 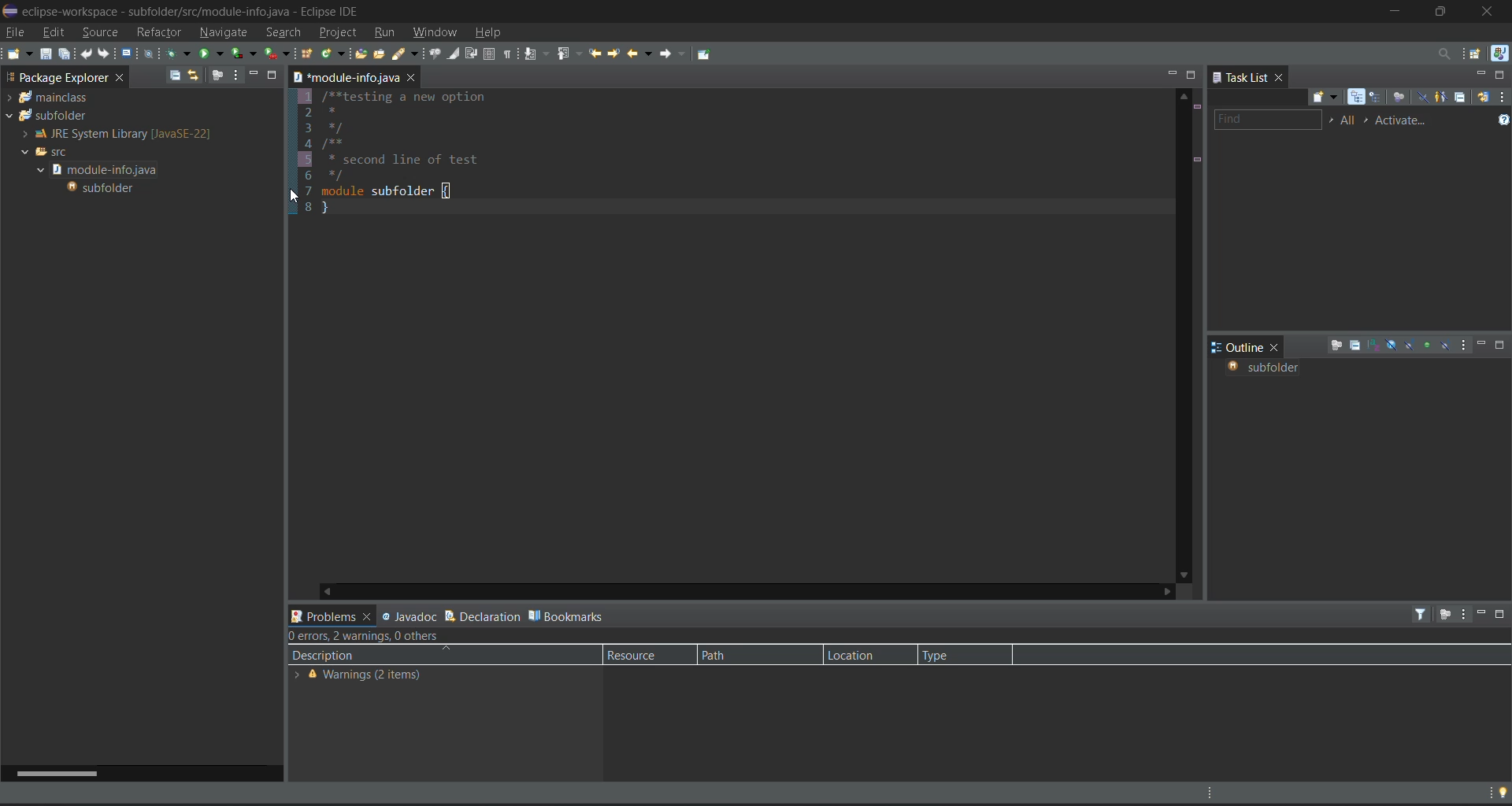 I want to click on debug, so click(x=180, y=52).